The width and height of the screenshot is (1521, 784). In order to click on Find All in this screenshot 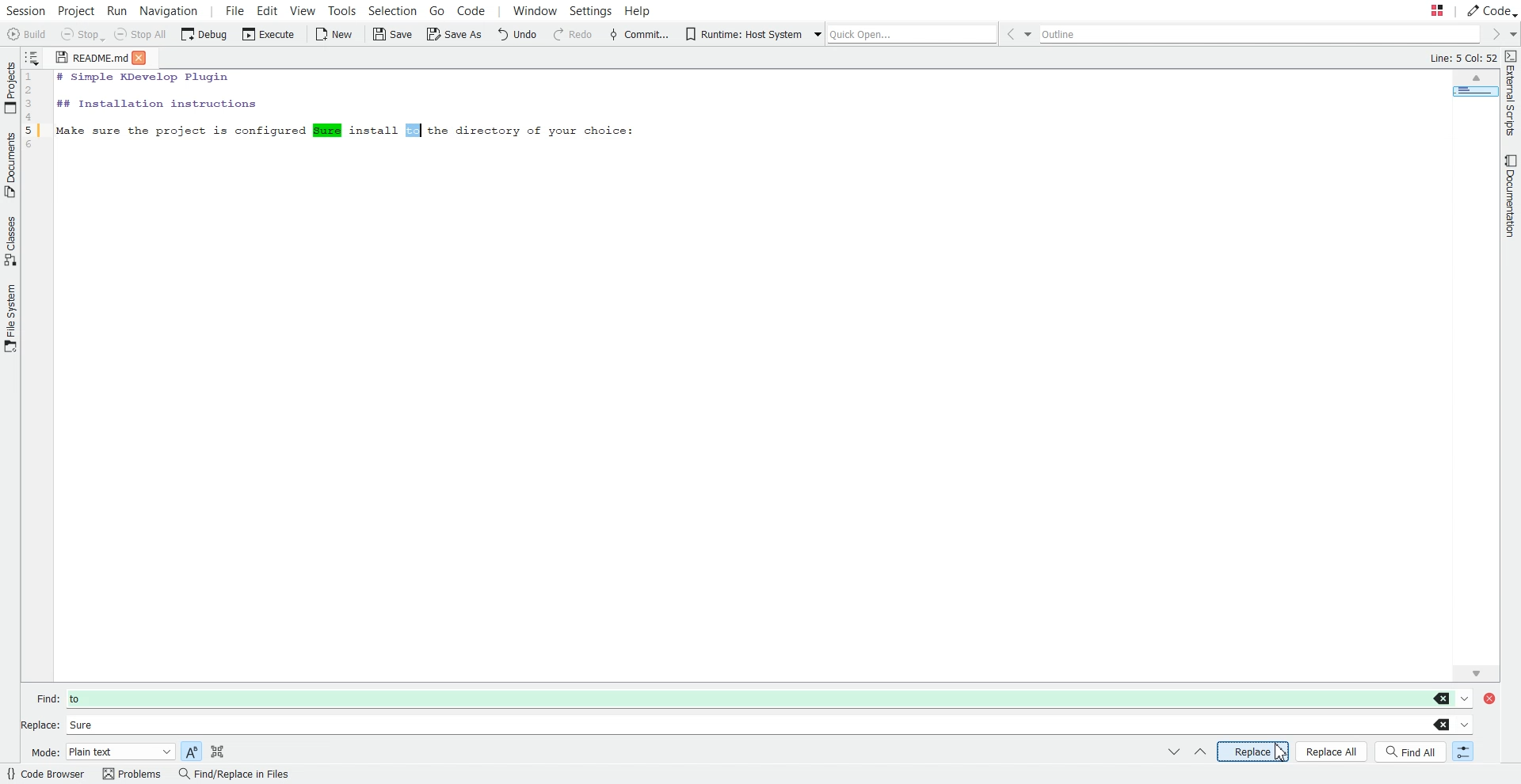, I will do `click(1412, 752)`.